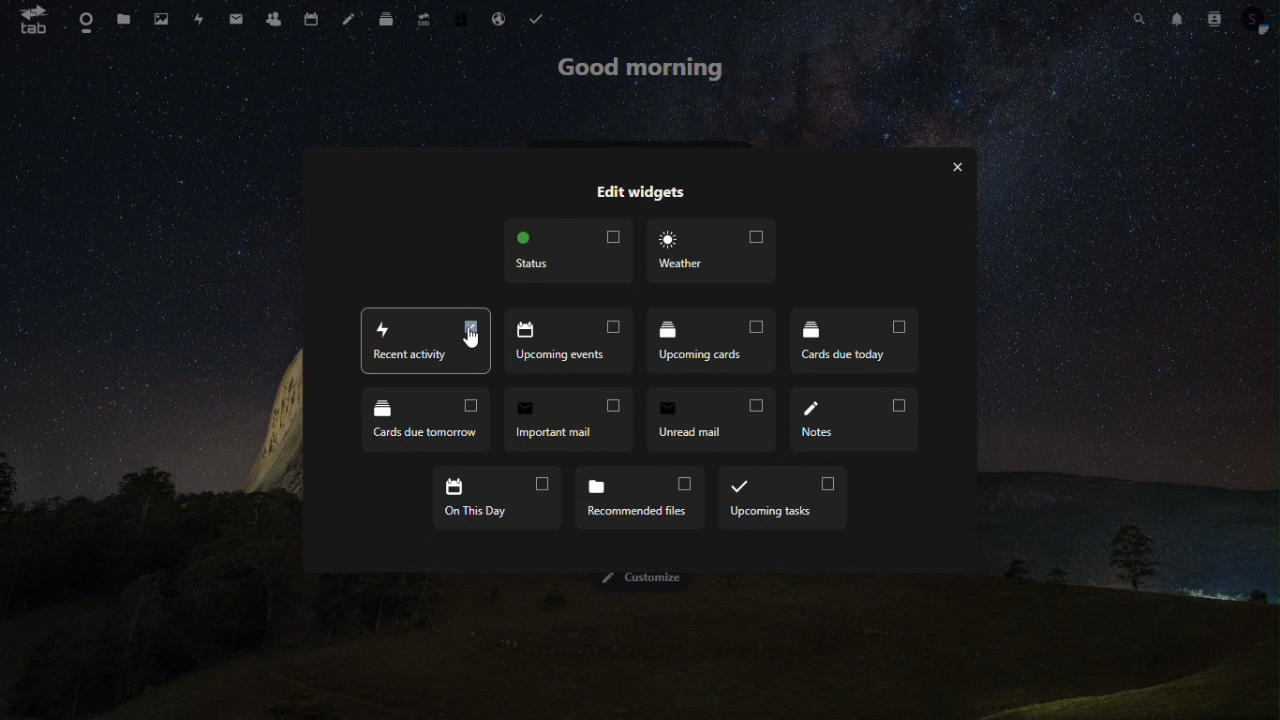 The width and height of the screenshot is (1280, 720). I want to click on upcoming tasks, so click(782, 499).